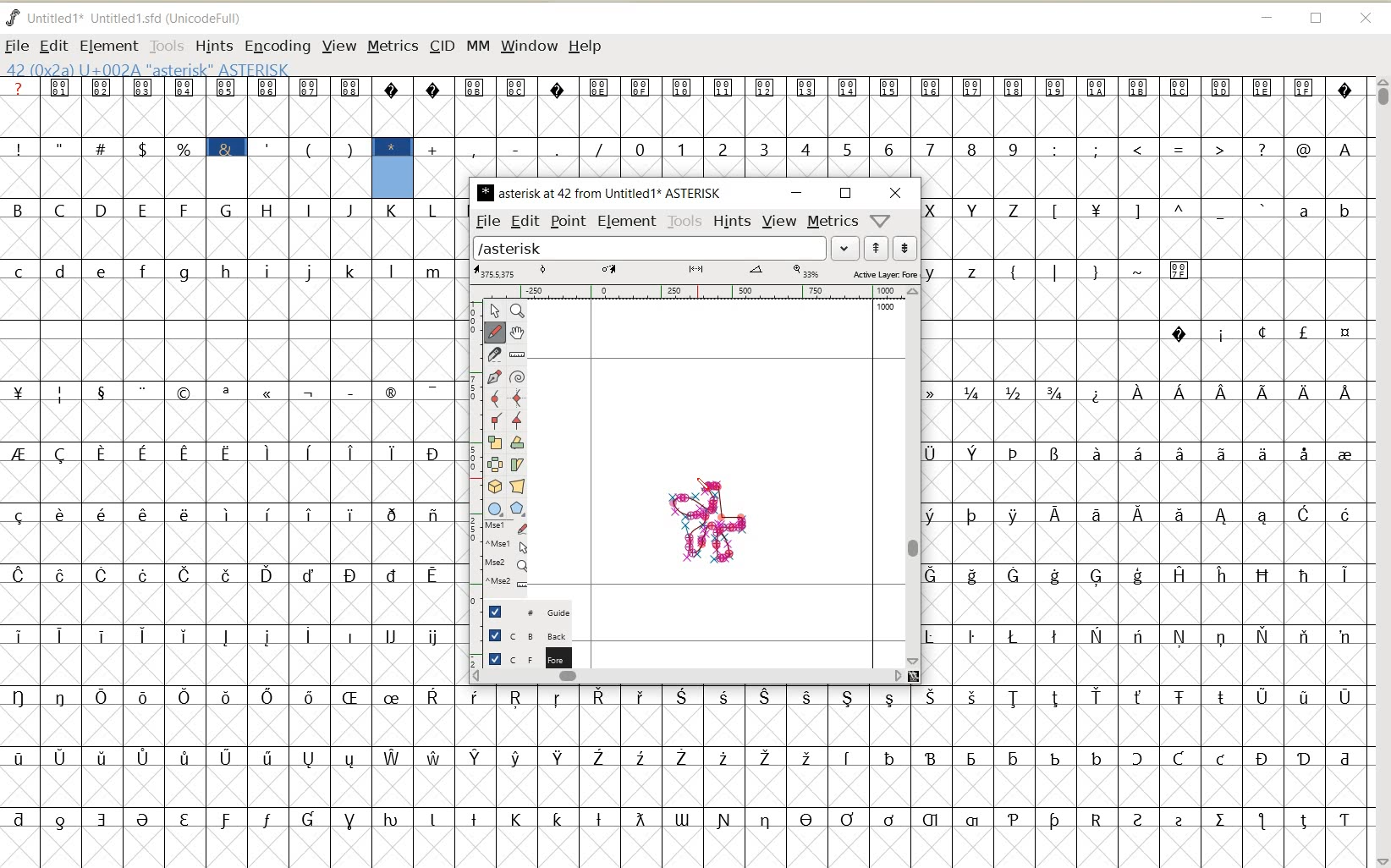  I want to click on asterisk at 42 from Untitled1 ASTERISK, so click(600, 192).